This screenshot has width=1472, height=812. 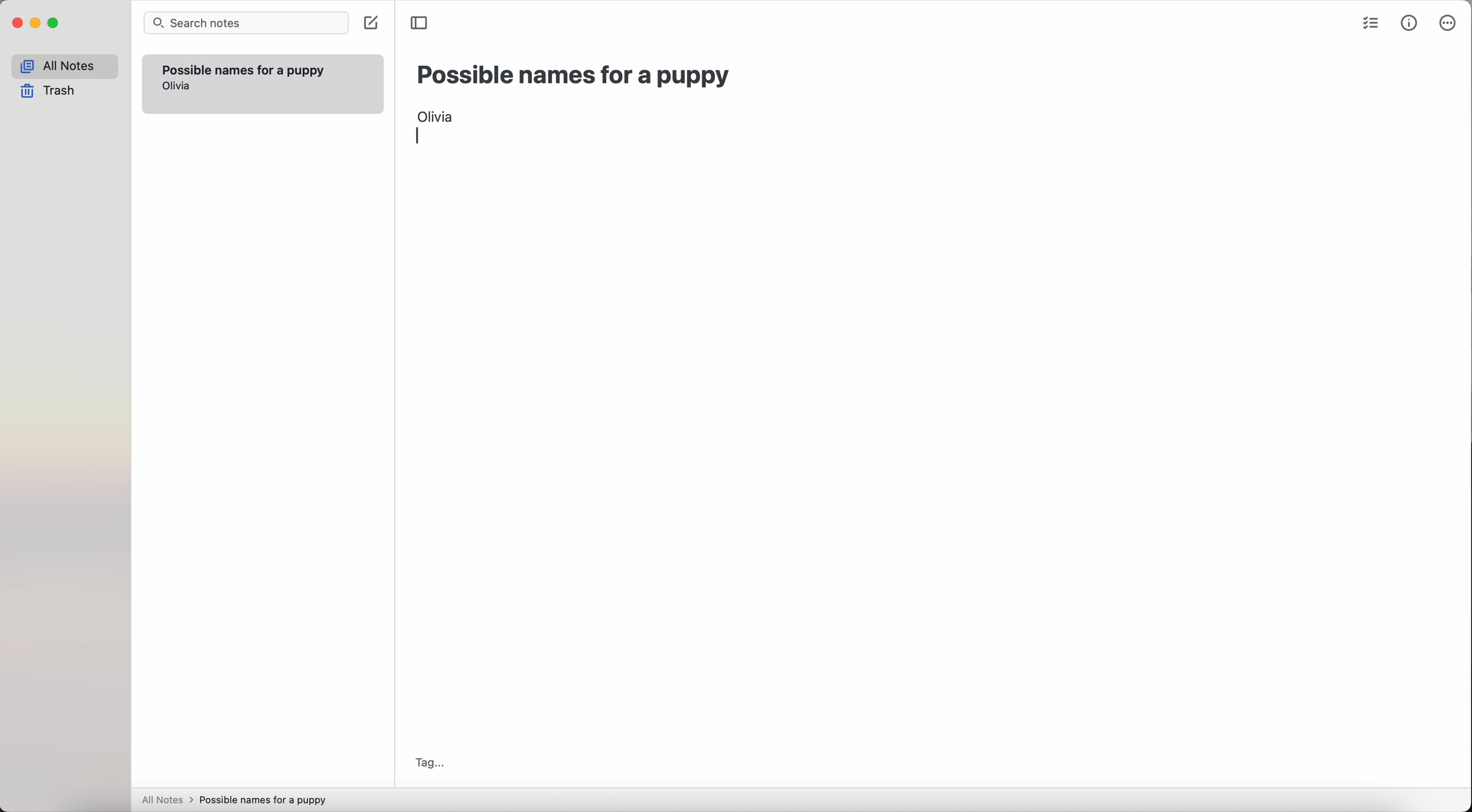 What do you see at coordinates (370, 24) in the screenshot?
I see `create note` at bounding box center [370, 24].